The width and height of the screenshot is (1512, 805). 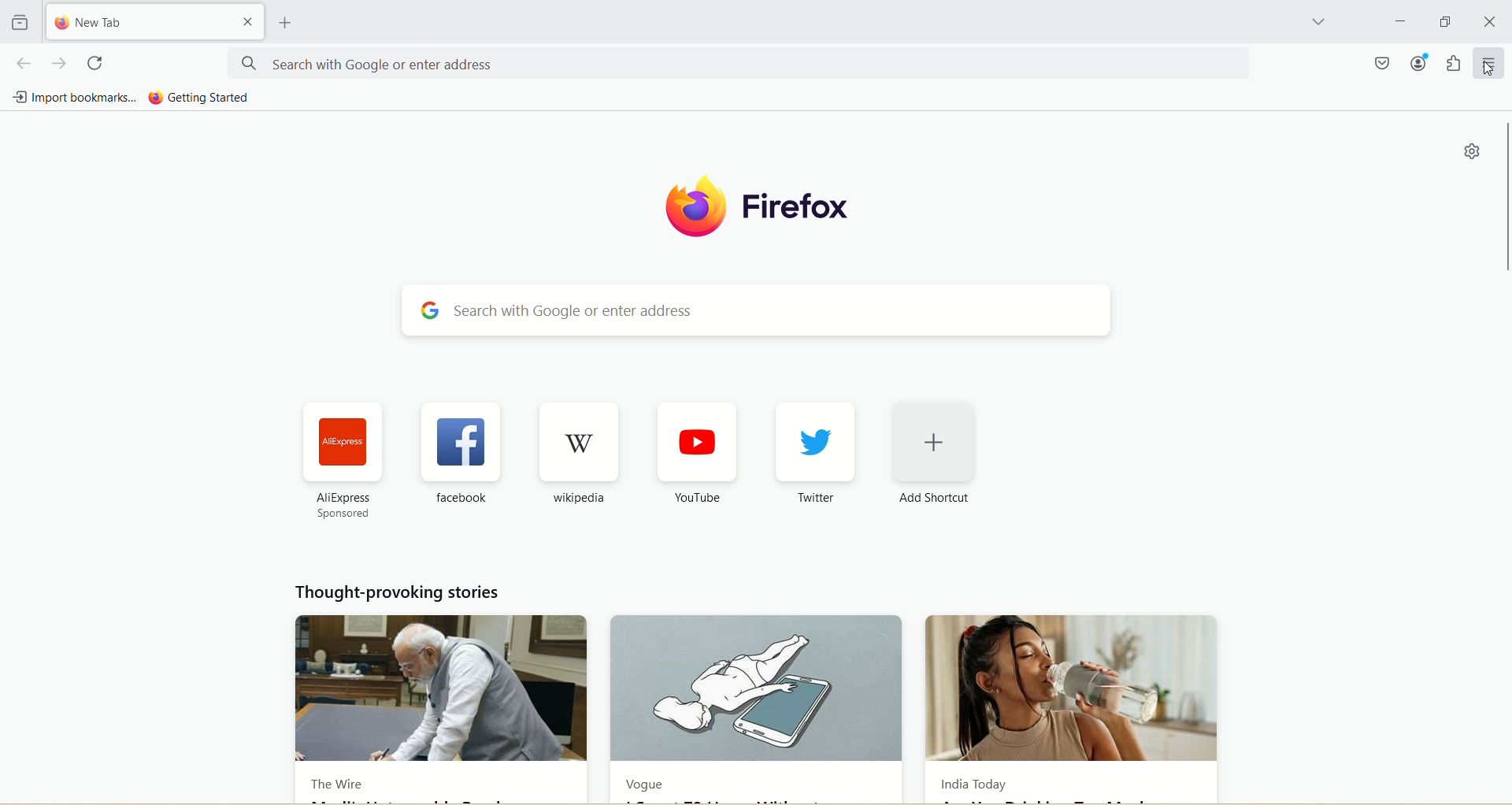 What do you see at coordinates (400, 593) in the screenshot?
I see `thought provoking stories` at bounding box center [400, 593].